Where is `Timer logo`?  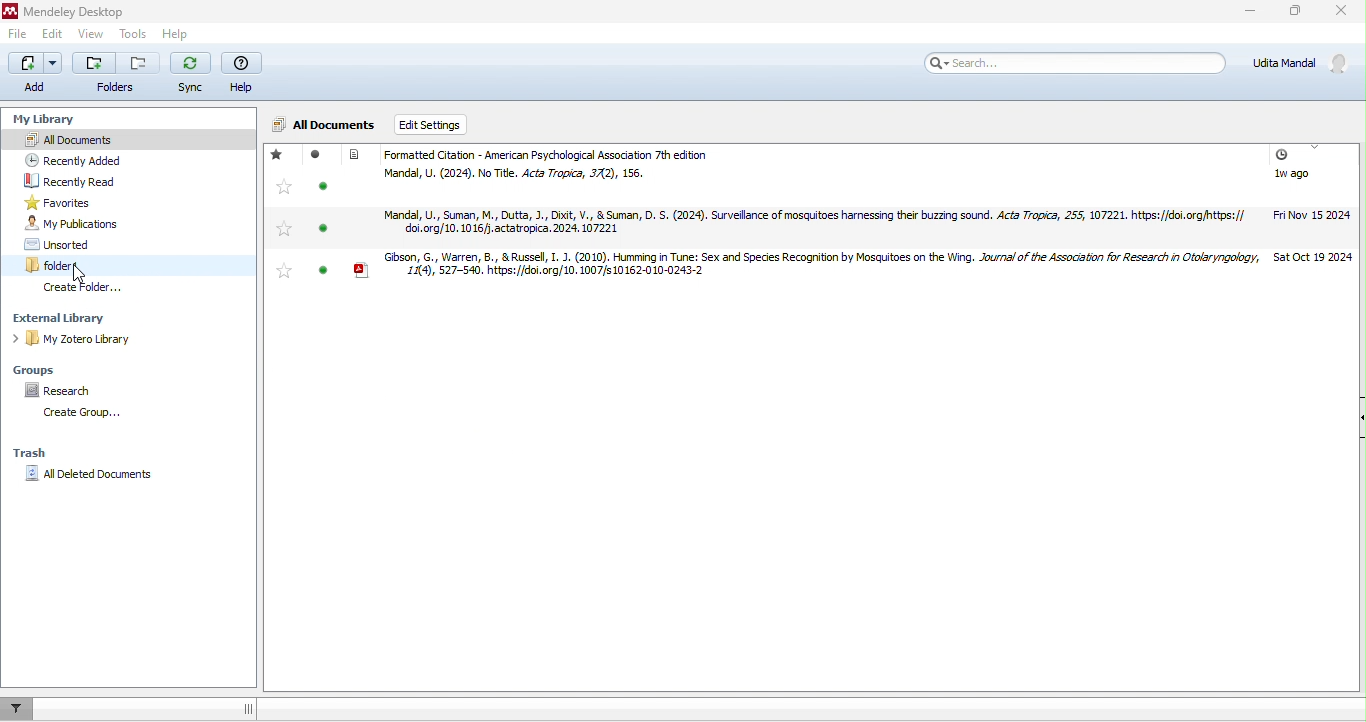
Timer logo is located at coordinates (1281, 155).